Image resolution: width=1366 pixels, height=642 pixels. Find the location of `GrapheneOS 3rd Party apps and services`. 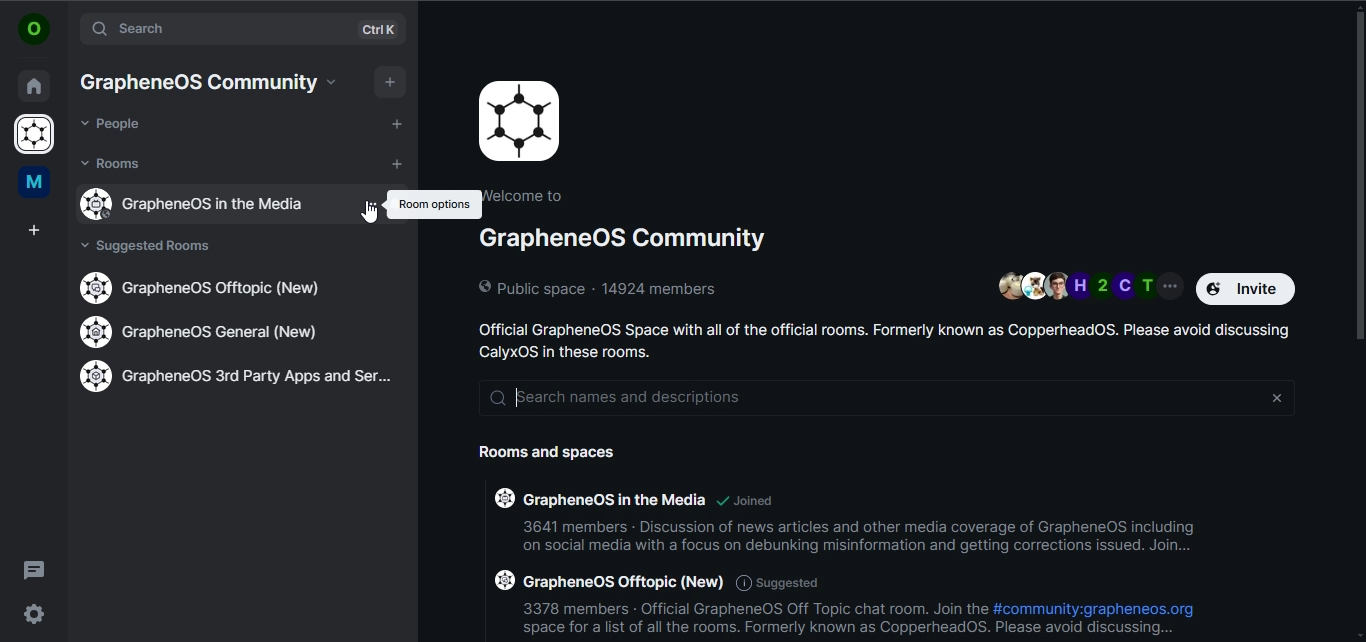

GrapheneOS 3rd Party apps and services is located at coordinates (243, 376).